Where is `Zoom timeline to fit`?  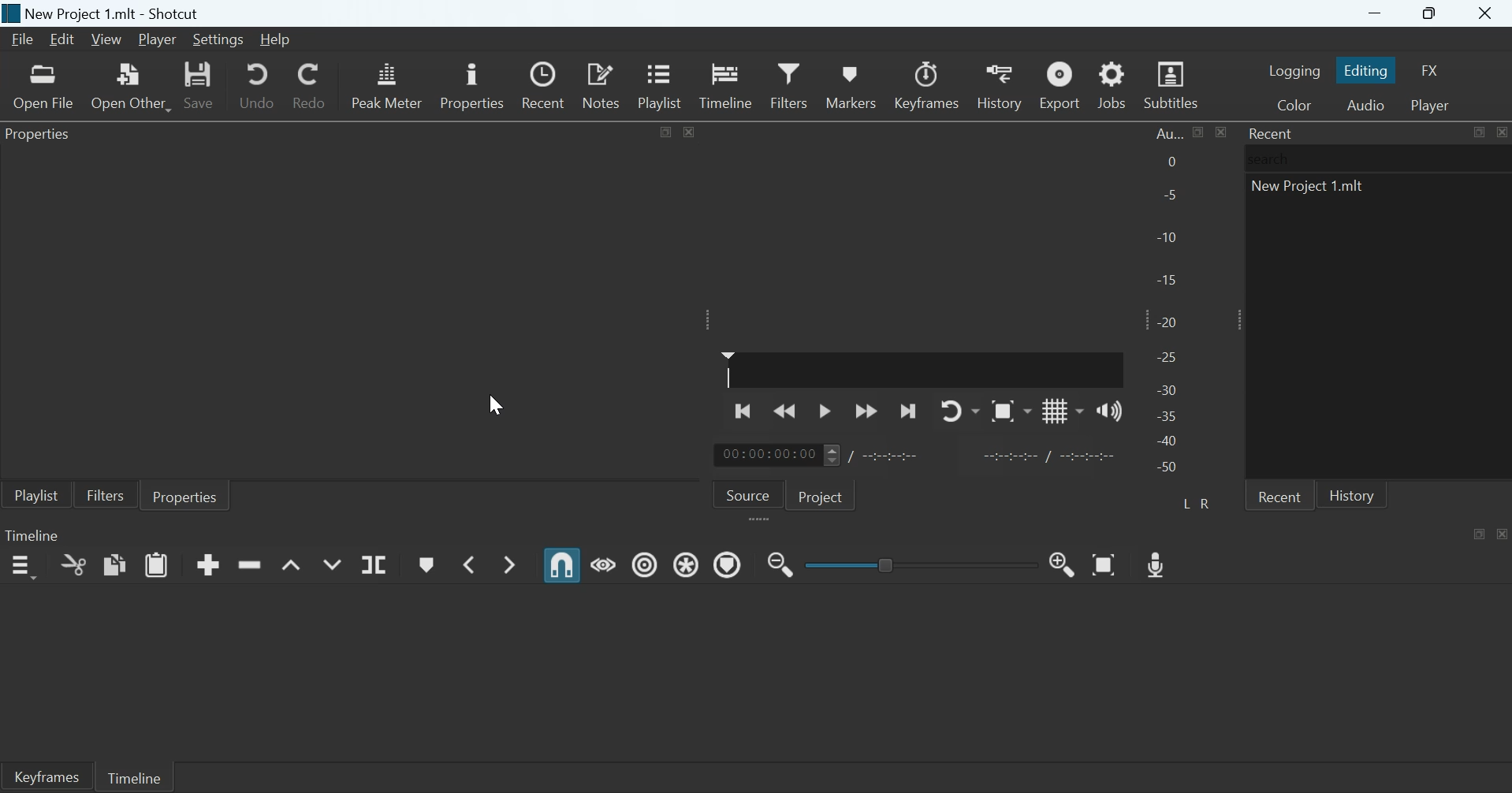
Zoom timeline to fit is located at coordinates (1106, 564).